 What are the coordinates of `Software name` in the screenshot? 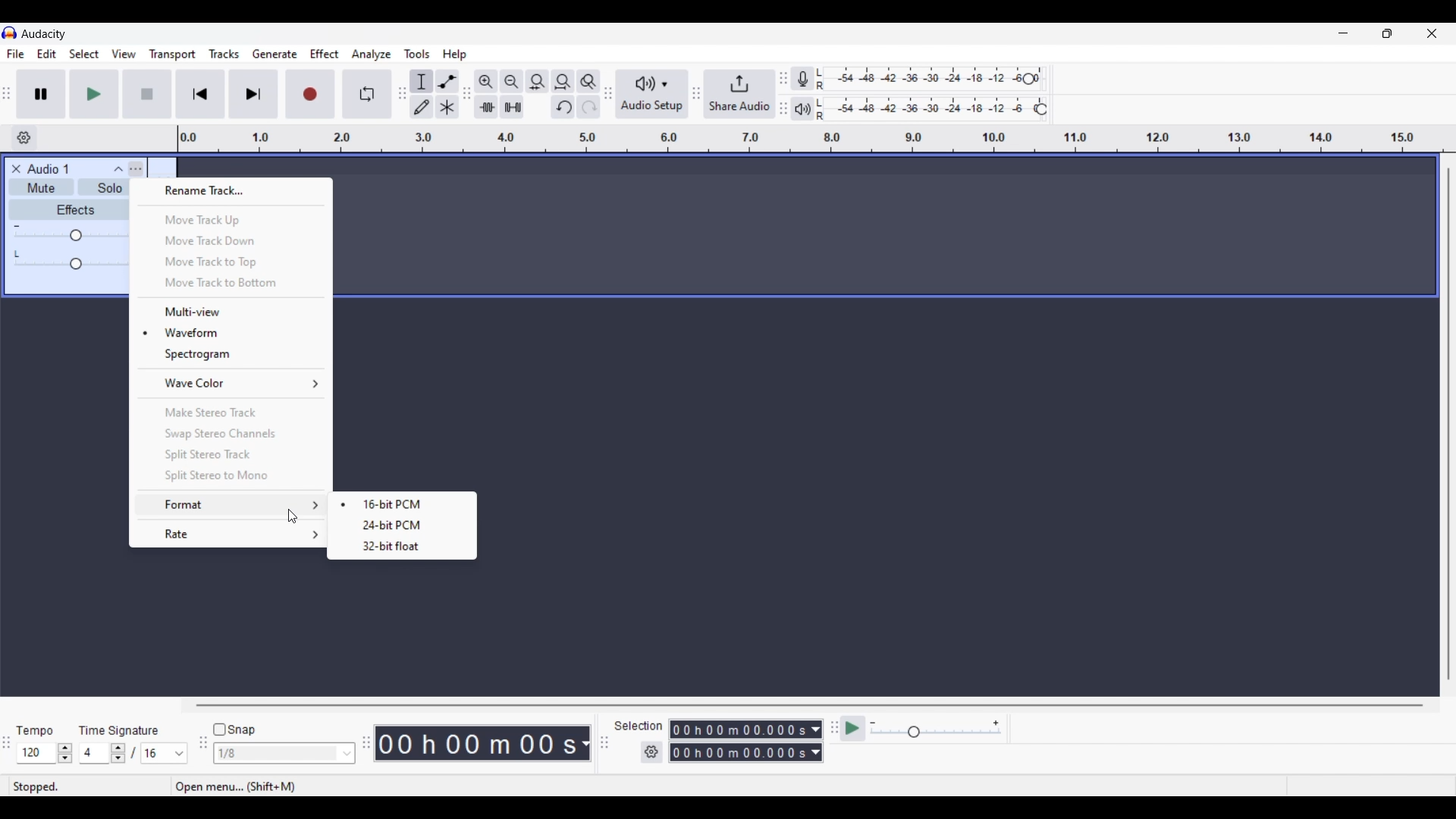 It's located at (44, 33).